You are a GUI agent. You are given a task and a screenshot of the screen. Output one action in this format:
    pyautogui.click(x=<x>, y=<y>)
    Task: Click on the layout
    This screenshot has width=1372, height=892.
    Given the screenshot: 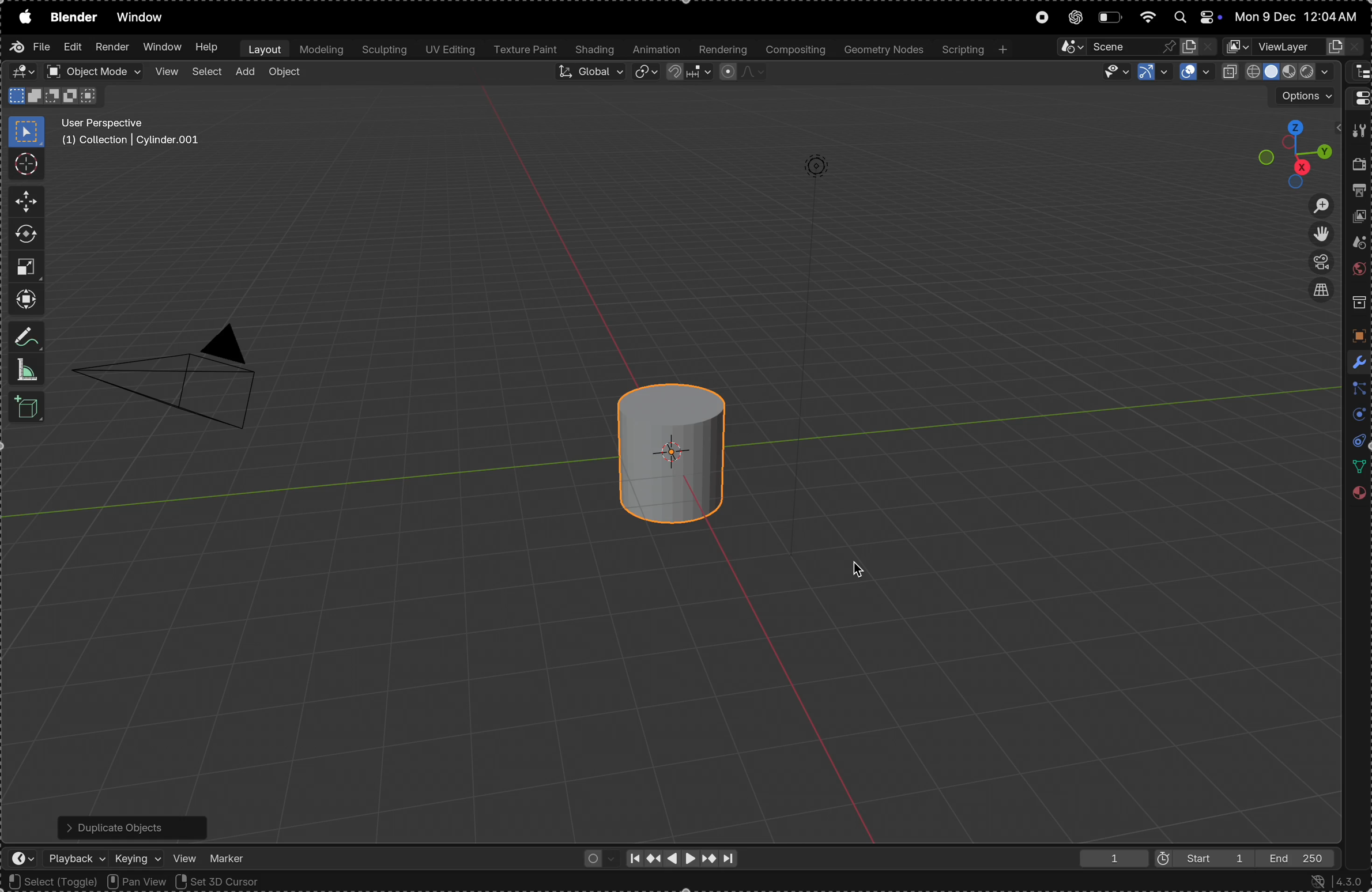 What is the action you would take?
    pyautogui.click(x=262, y=48)
    